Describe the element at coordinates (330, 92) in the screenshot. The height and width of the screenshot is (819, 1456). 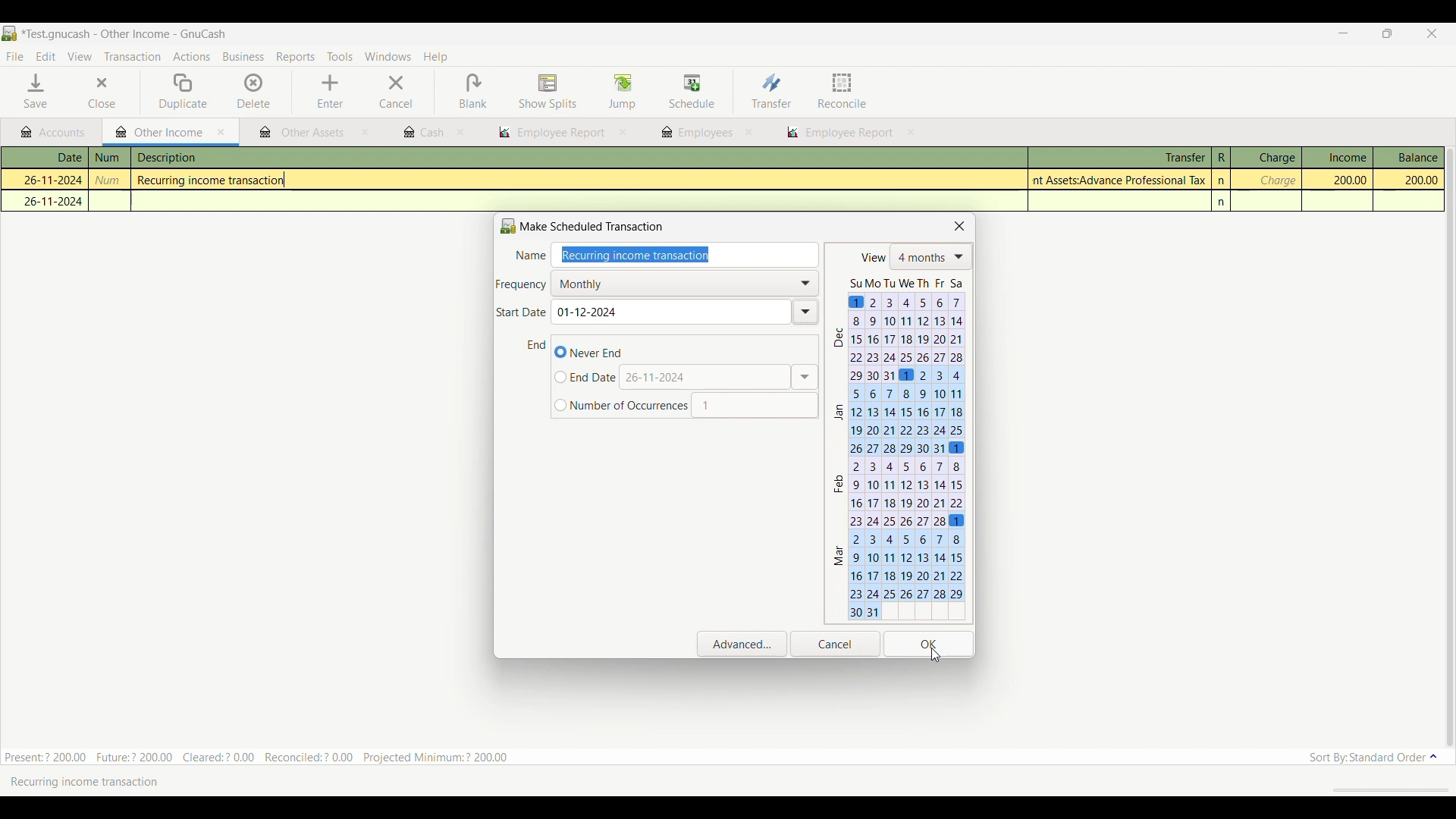
I see `Enter` at that location.